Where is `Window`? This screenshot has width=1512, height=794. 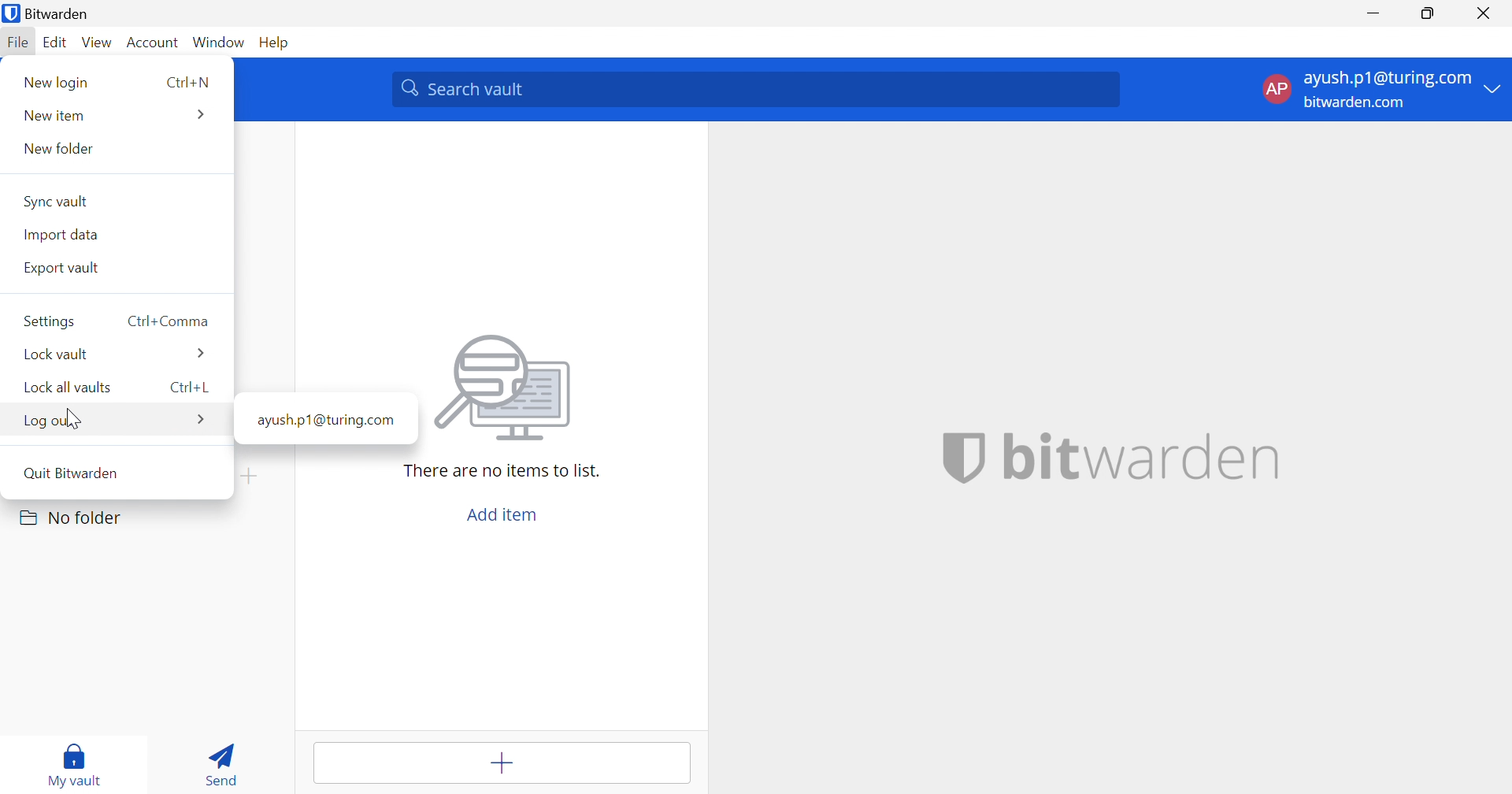
Window is located at coordinates (220, 42).